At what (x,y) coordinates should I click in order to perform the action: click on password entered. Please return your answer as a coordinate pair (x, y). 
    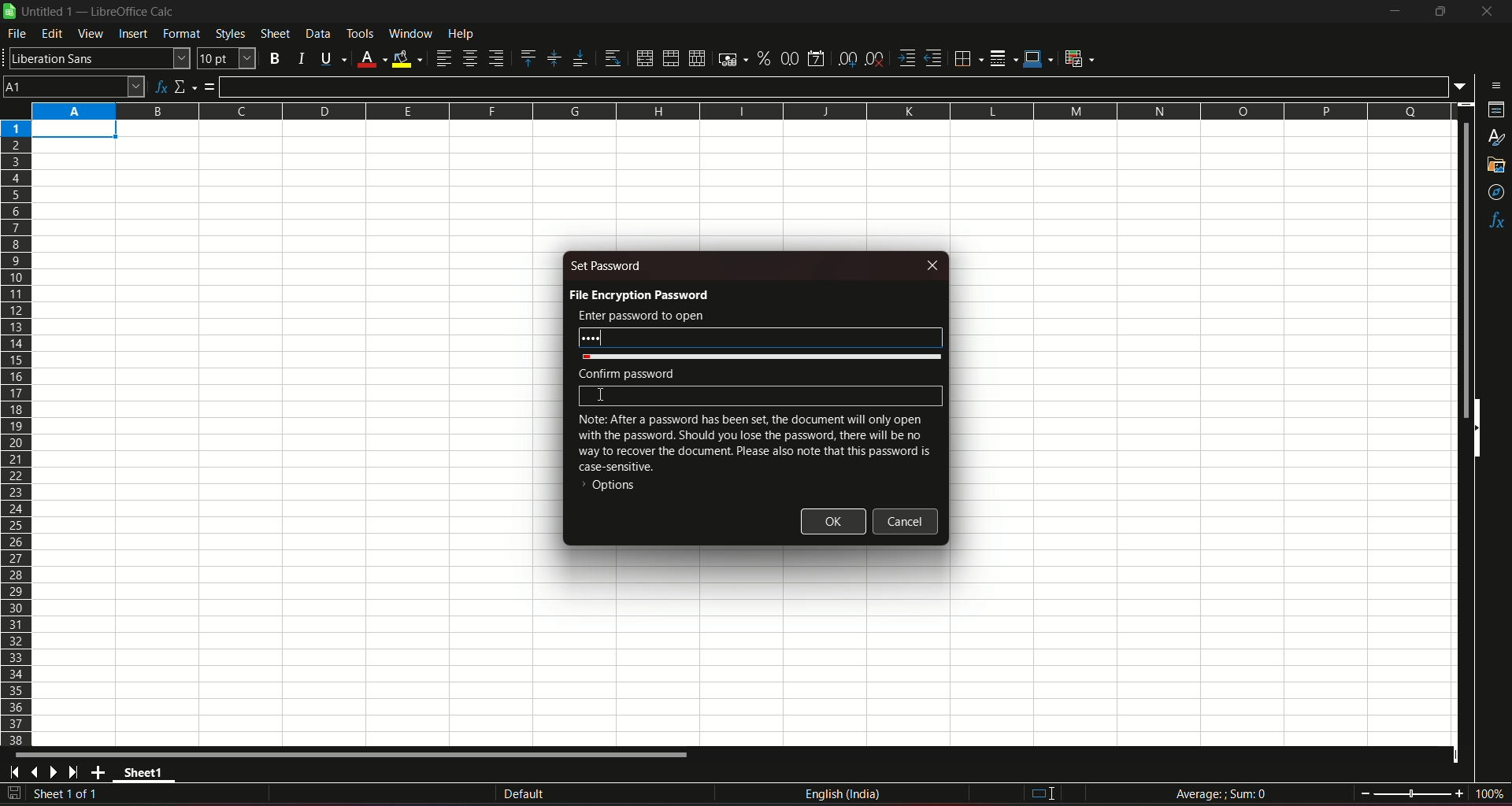
    Looking at the image, I should click on (761, 337).